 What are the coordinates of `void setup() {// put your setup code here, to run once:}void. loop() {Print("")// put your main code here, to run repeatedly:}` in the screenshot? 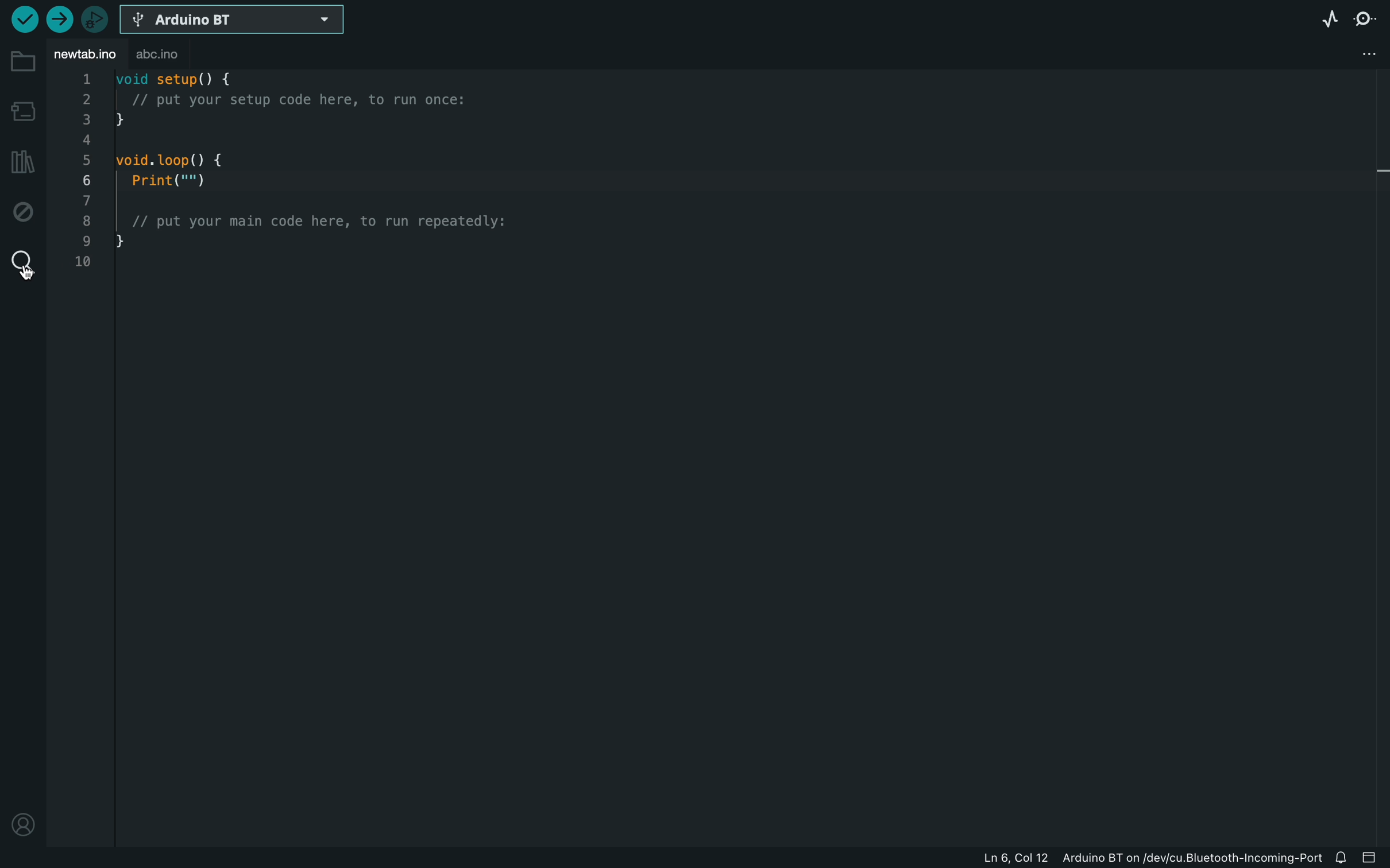 It's located at (341, 173).